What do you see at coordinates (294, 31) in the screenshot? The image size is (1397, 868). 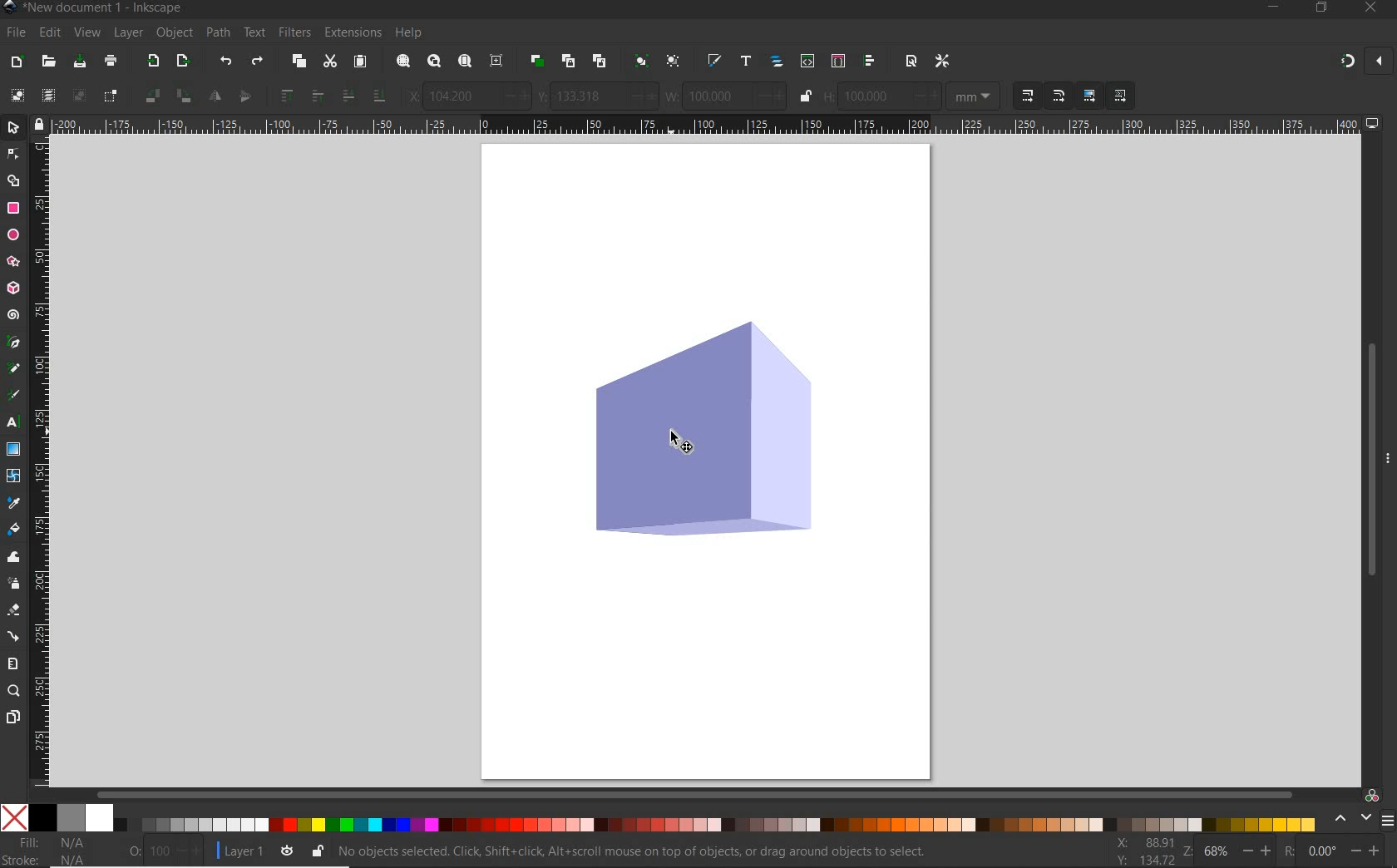 I see `FILTERS` at bounding box center [294, 31].